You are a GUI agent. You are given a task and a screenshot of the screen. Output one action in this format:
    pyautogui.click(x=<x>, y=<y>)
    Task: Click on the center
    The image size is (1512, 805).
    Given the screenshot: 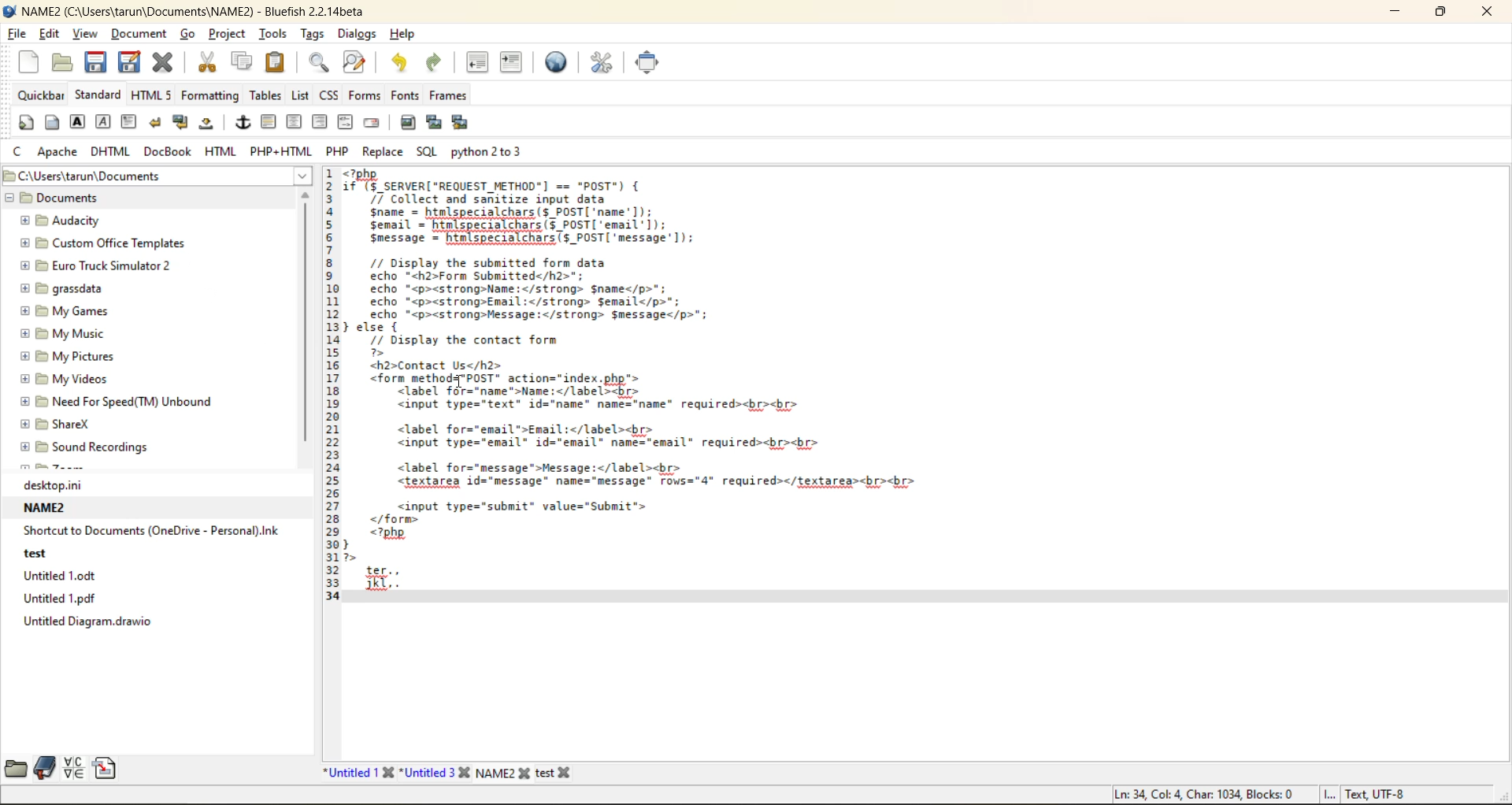 What is the action you would take?
    pyautogui.click(x=295, y=123)
    